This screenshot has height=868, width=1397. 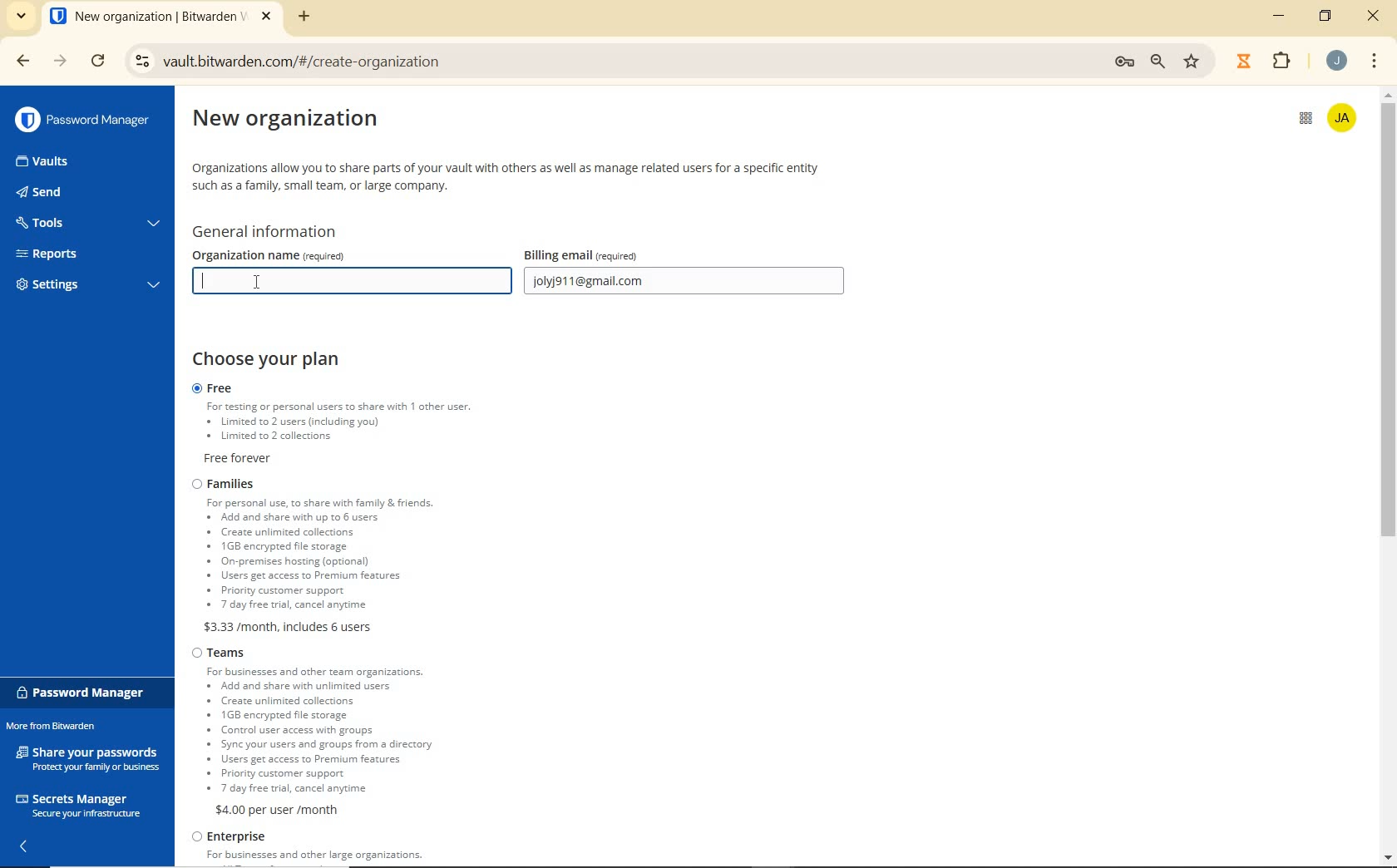 What do you see at coordinates (160, 18) in the screenshot?
I see `Bitwarden Web Vault` at bounding box center [160, 18].